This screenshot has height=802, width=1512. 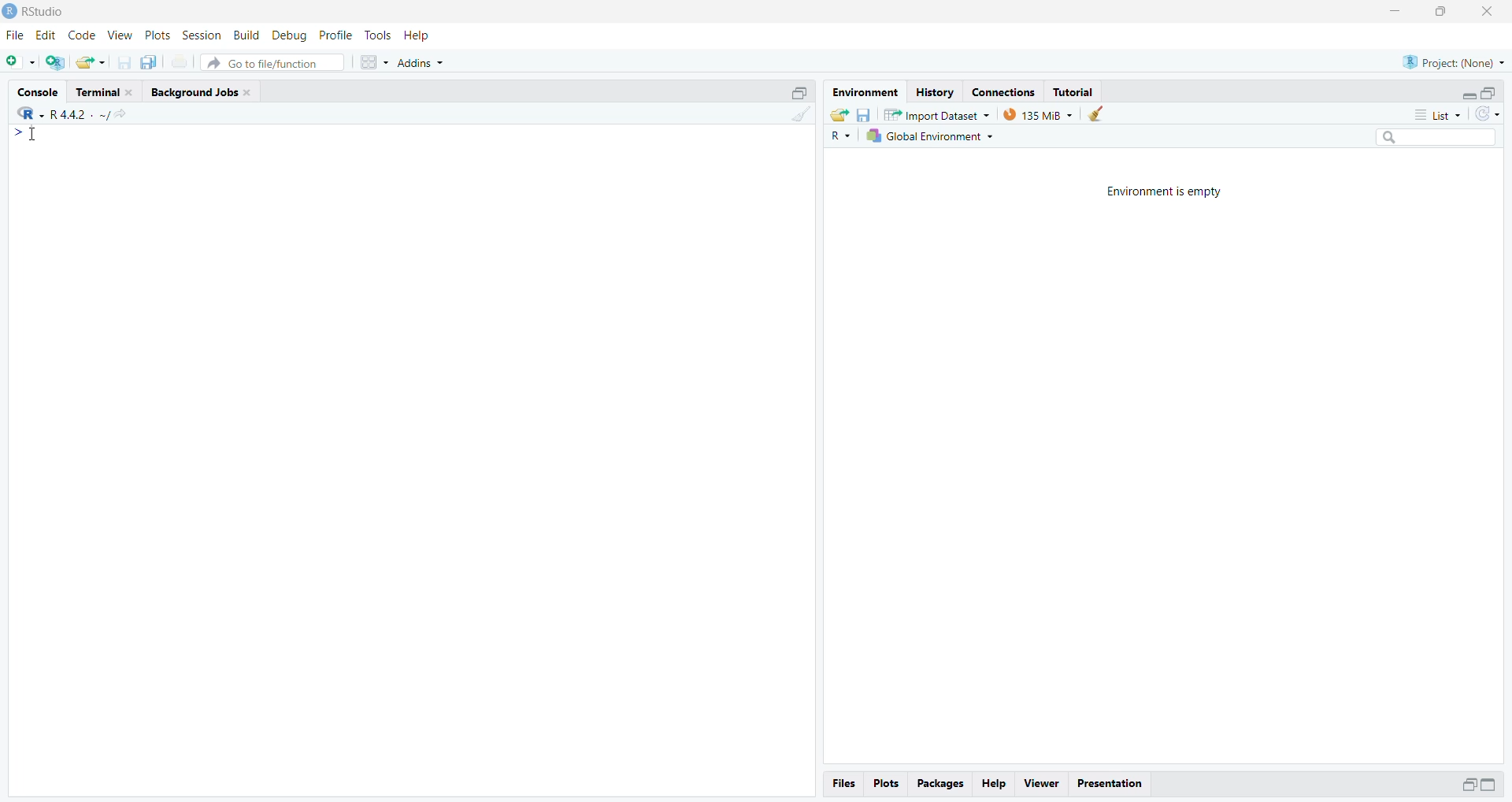 I want to click on RStudio, so click(x=42, y=12).